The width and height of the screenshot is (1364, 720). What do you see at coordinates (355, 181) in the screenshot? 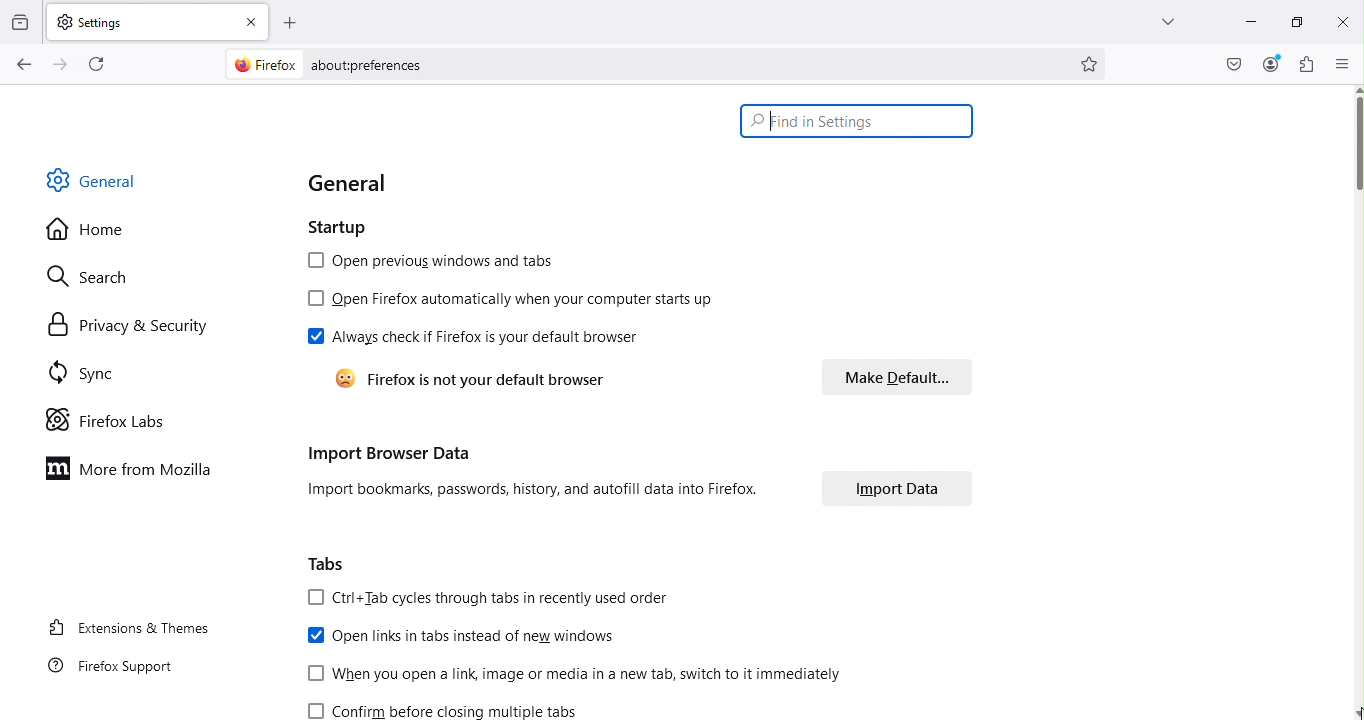
I see `General` at bounding box center [355, 181].